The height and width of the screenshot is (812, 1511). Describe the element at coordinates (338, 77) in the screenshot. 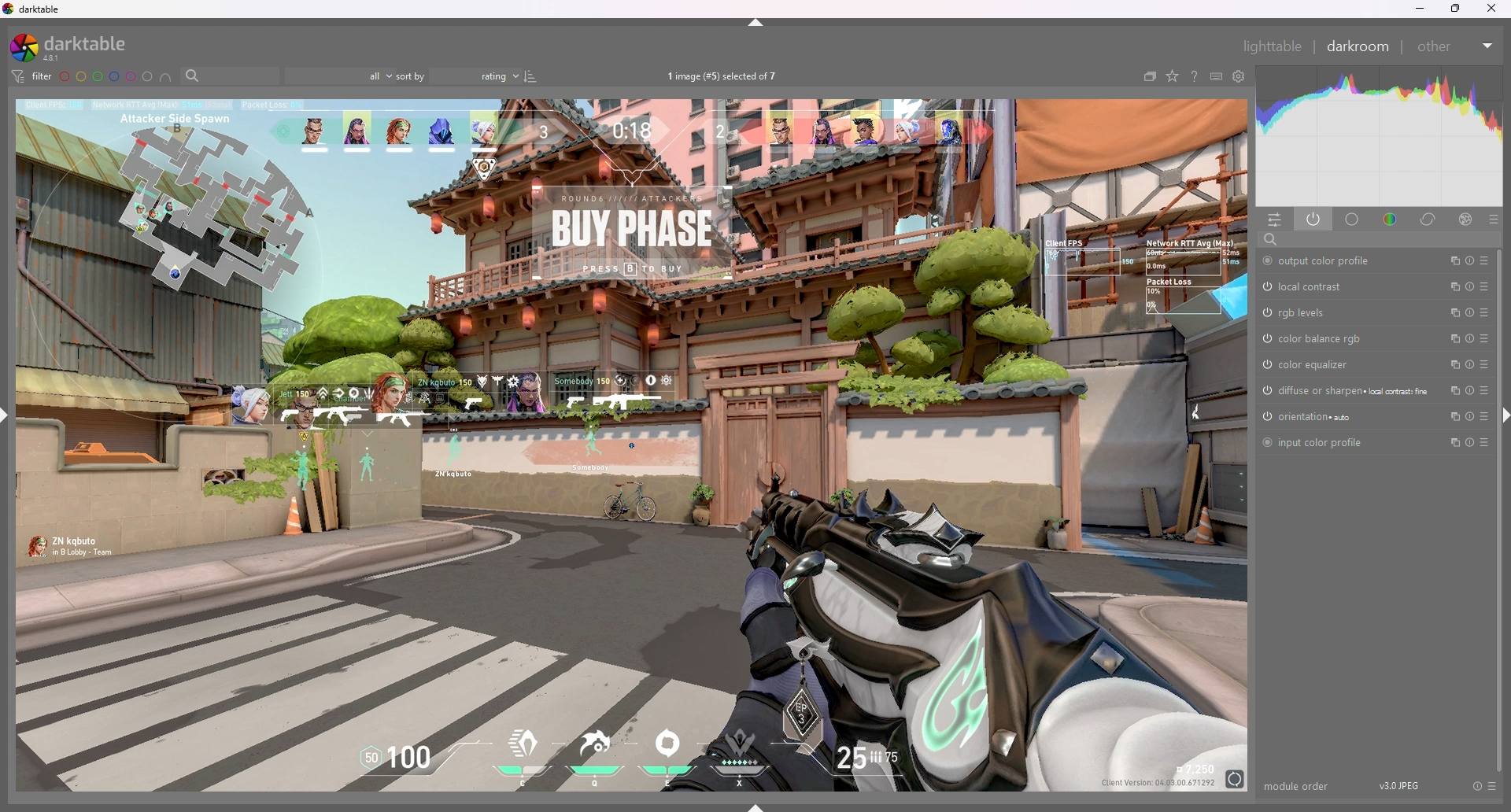

I see `filter by rating` at that location.